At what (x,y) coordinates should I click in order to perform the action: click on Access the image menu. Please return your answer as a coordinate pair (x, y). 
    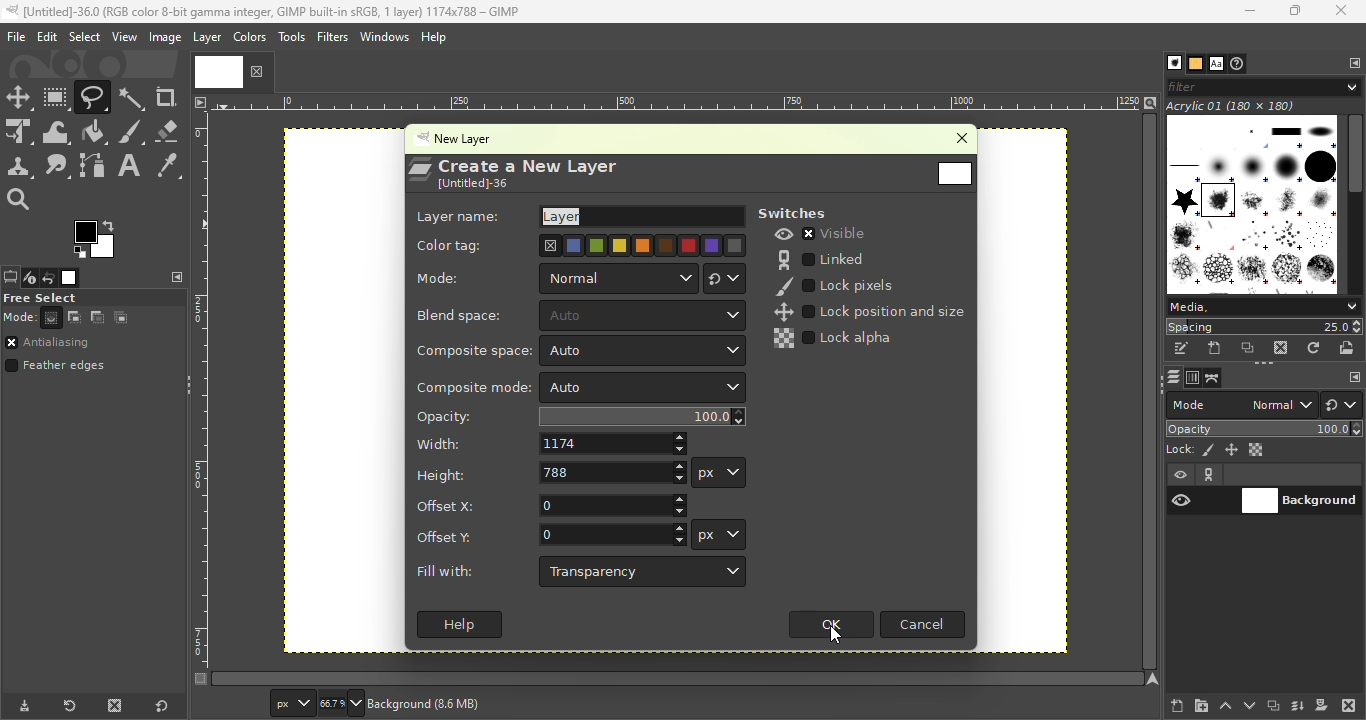
    Looking at the image, I should click on (200, 101).